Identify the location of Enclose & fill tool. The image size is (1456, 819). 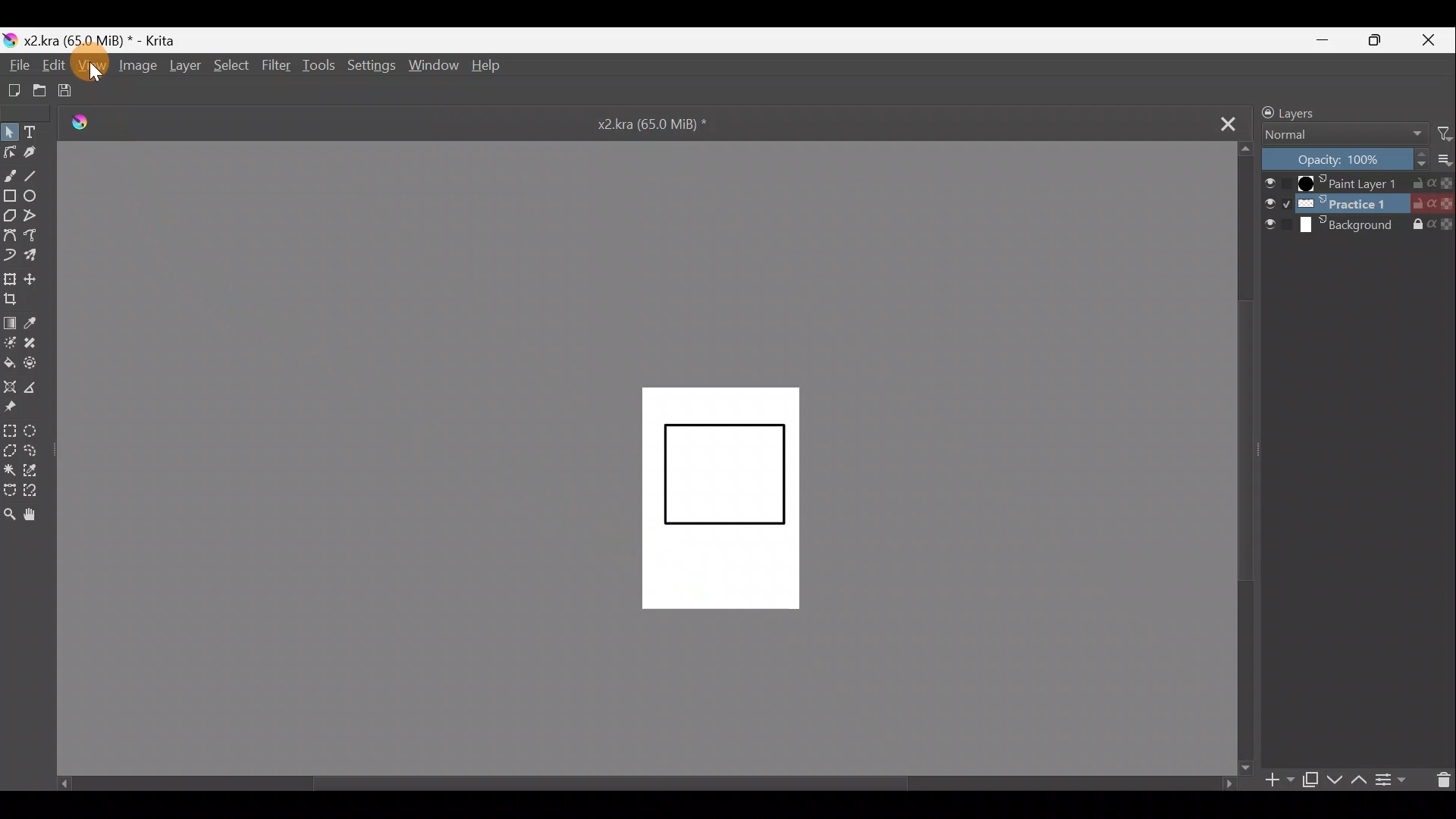
(36, 364).